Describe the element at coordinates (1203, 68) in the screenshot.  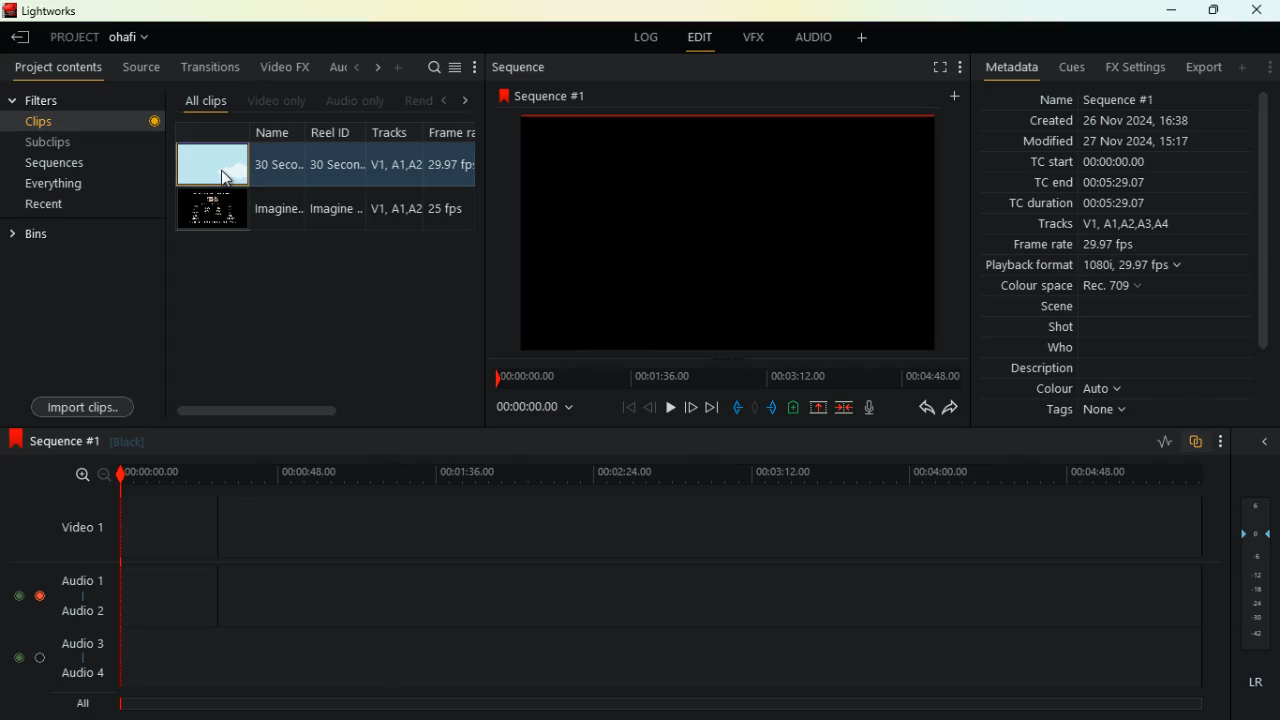
I see `export` at that location.